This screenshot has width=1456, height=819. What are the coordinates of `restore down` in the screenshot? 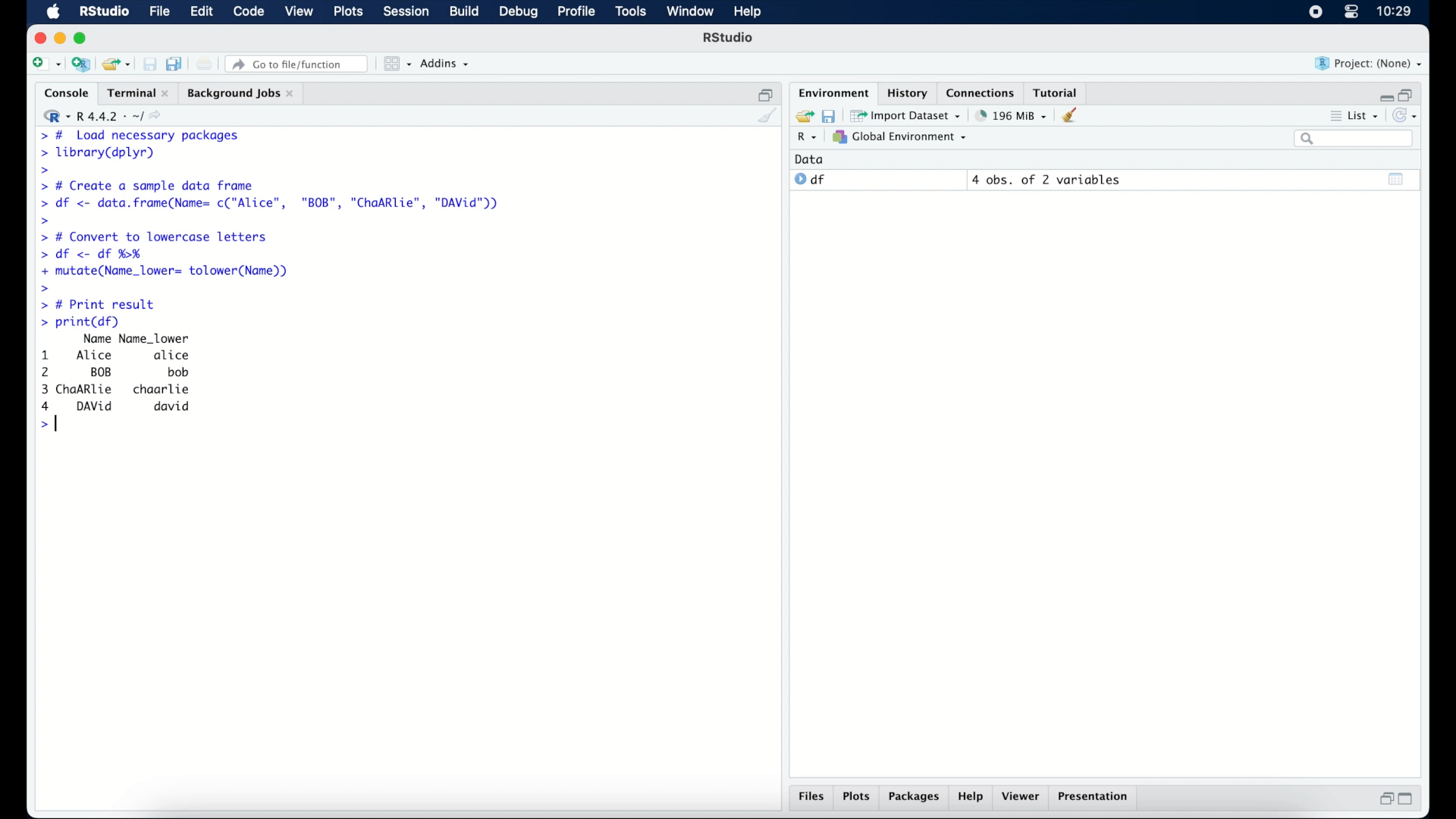 It's located at (766, 93).